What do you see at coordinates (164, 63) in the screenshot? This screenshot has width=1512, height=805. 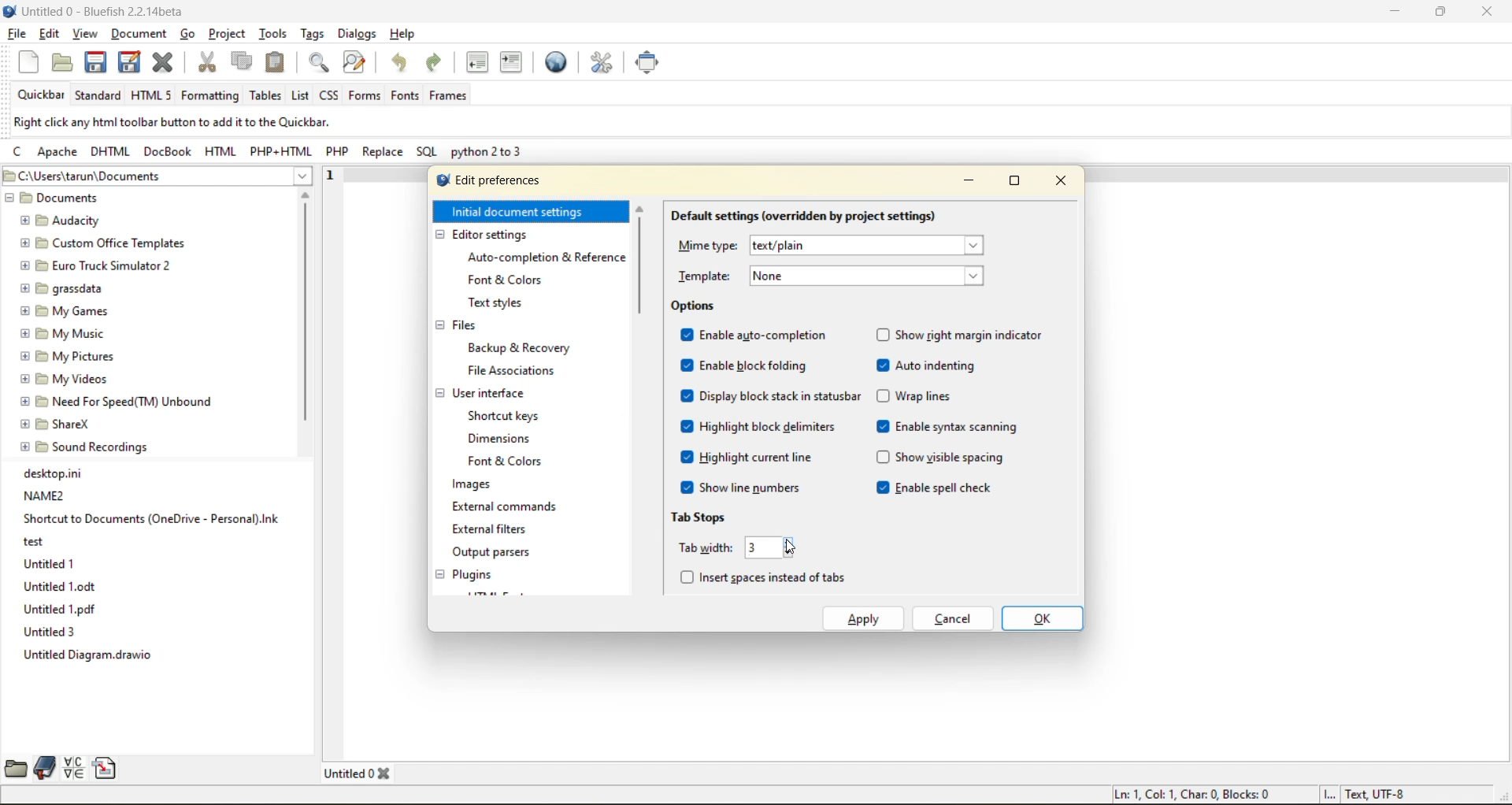 I see `close file` at bounding box center [164, 63].